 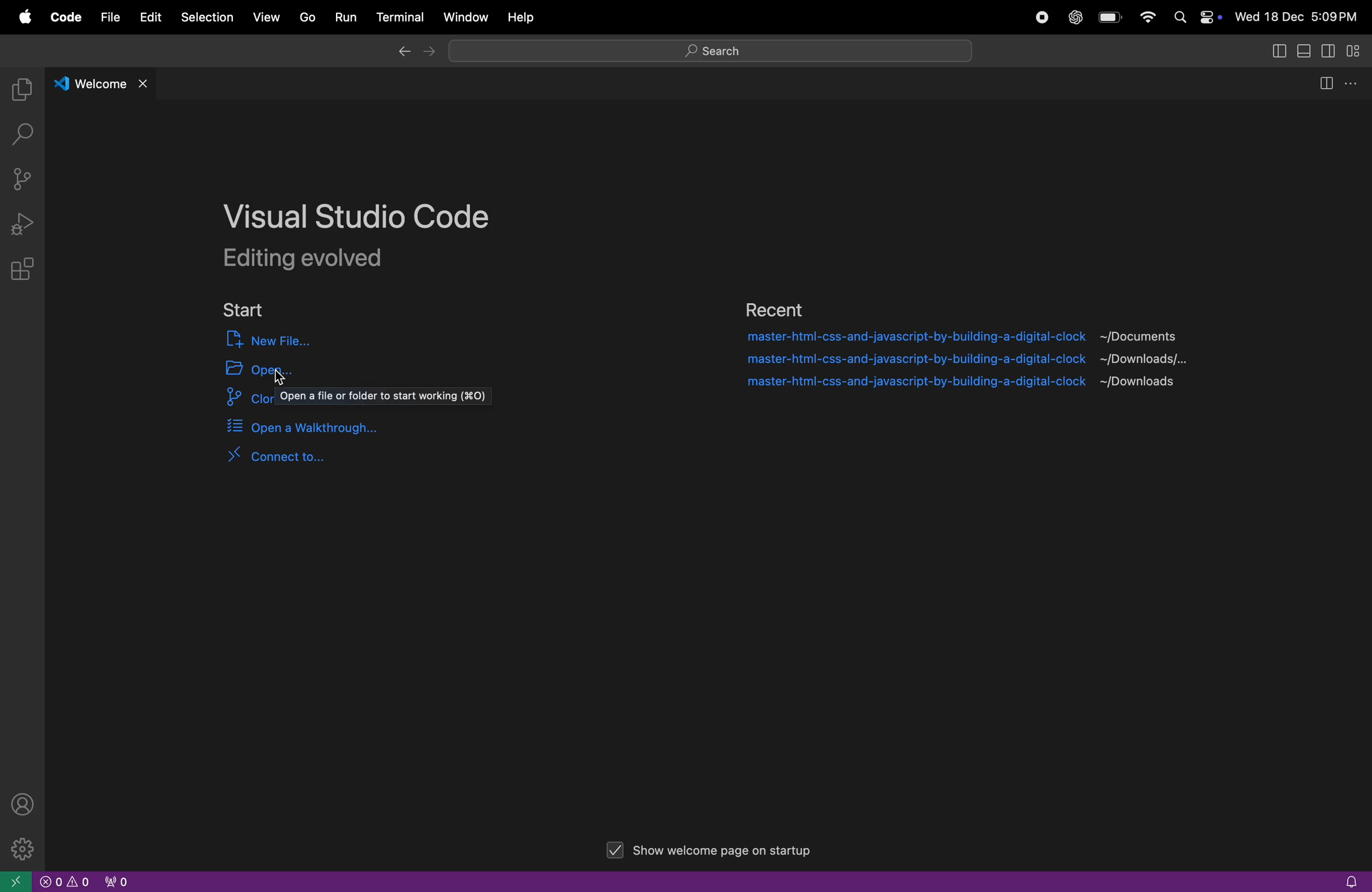 What do you see at coordinates (255, 369) in the screenshot?
I see `open input elements` at bounding box center [255, 369].